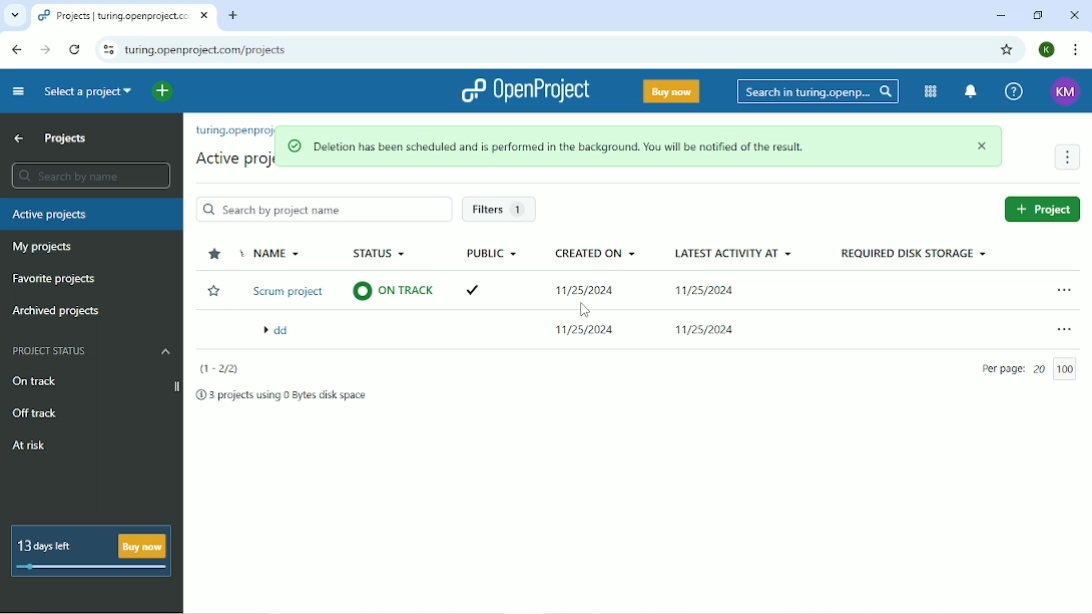 This screenshot has height=614, width=1092. What do you see at coordinates (161, 90) in the screenshot?
I see `Open quick add menu` at bounding box center [161, 90].